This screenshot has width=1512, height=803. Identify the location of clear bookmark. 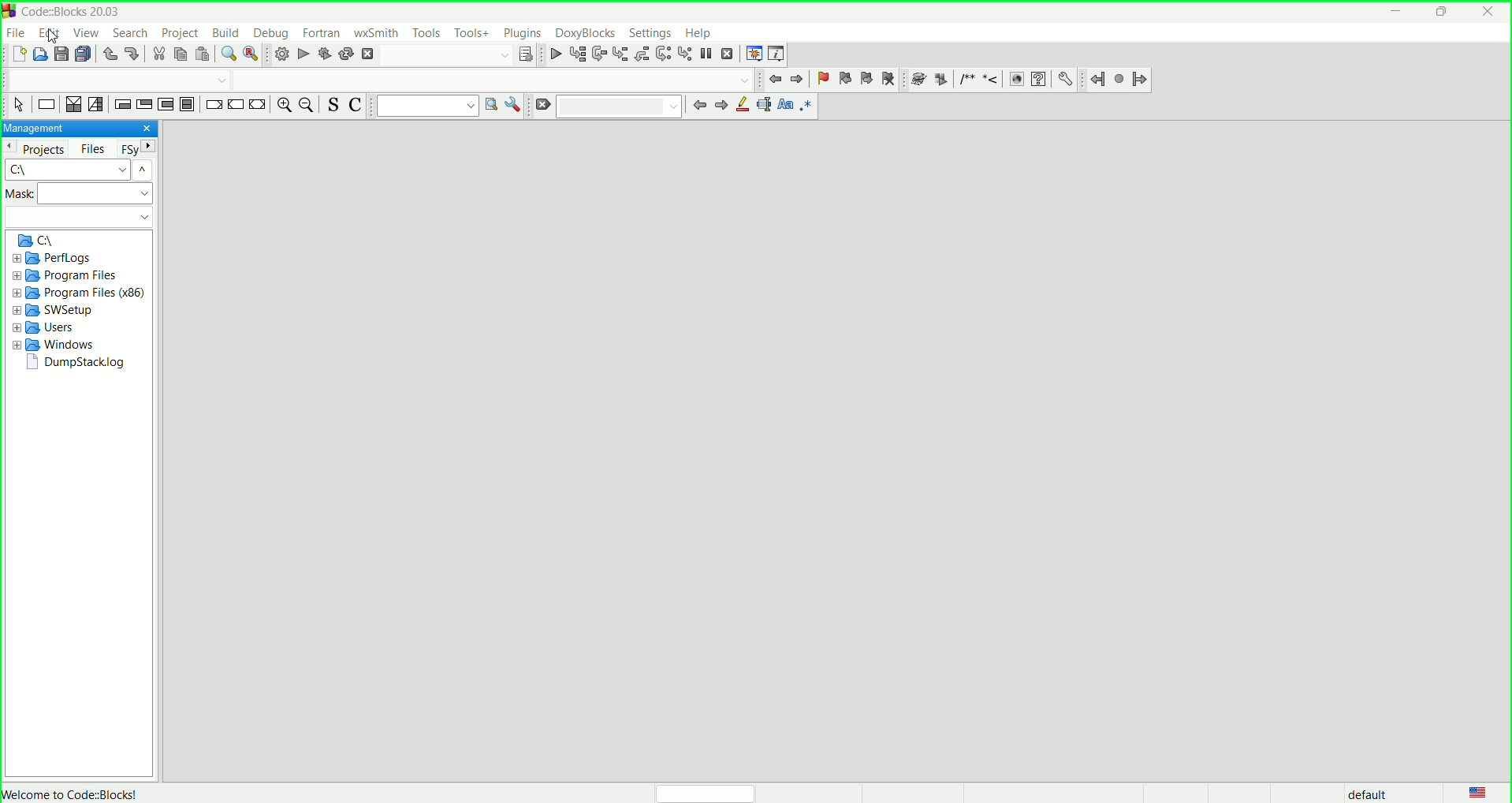
(891, 77).